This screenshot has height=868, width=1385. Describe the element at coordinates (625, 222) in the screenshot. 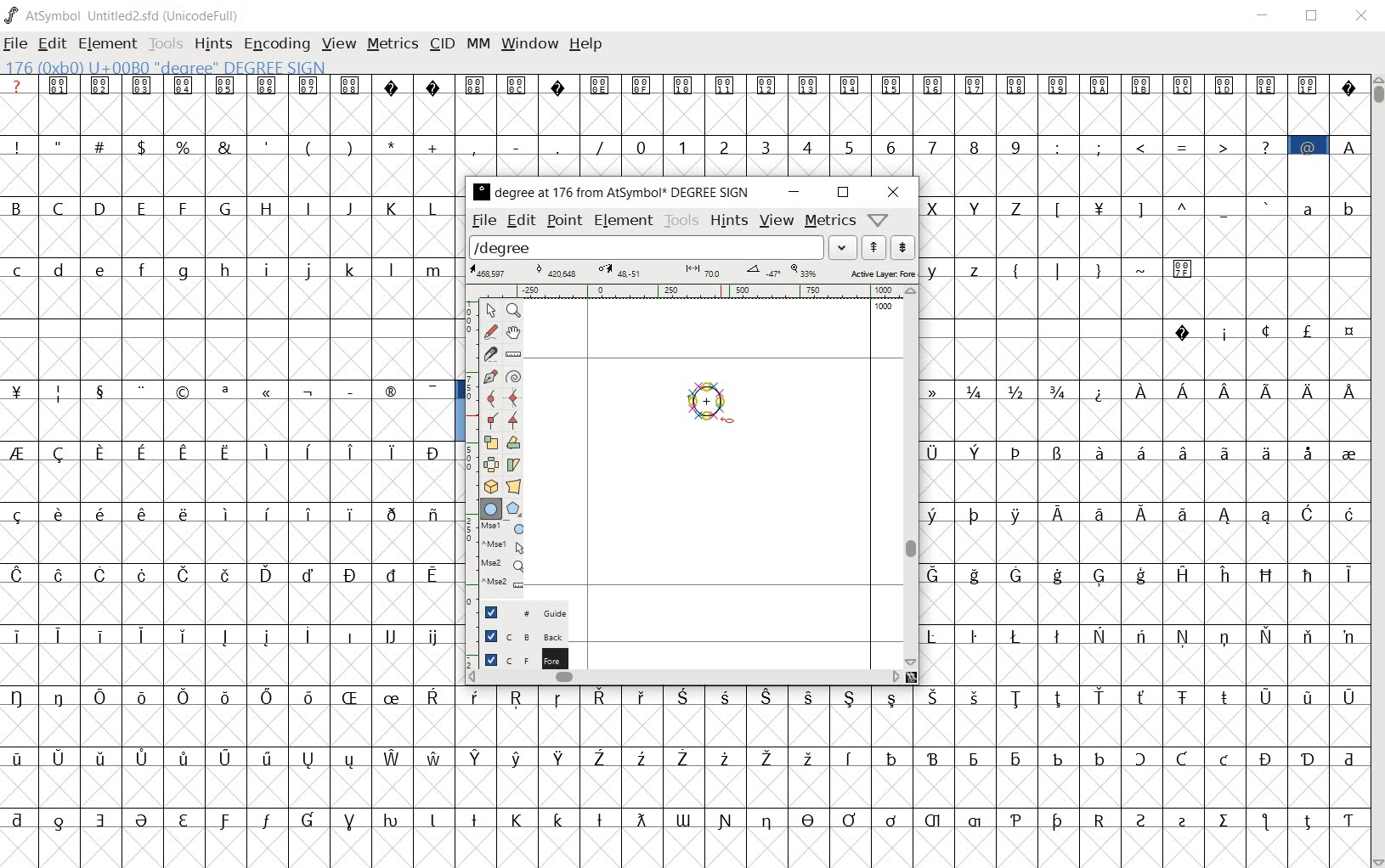

I see `element` at that location.